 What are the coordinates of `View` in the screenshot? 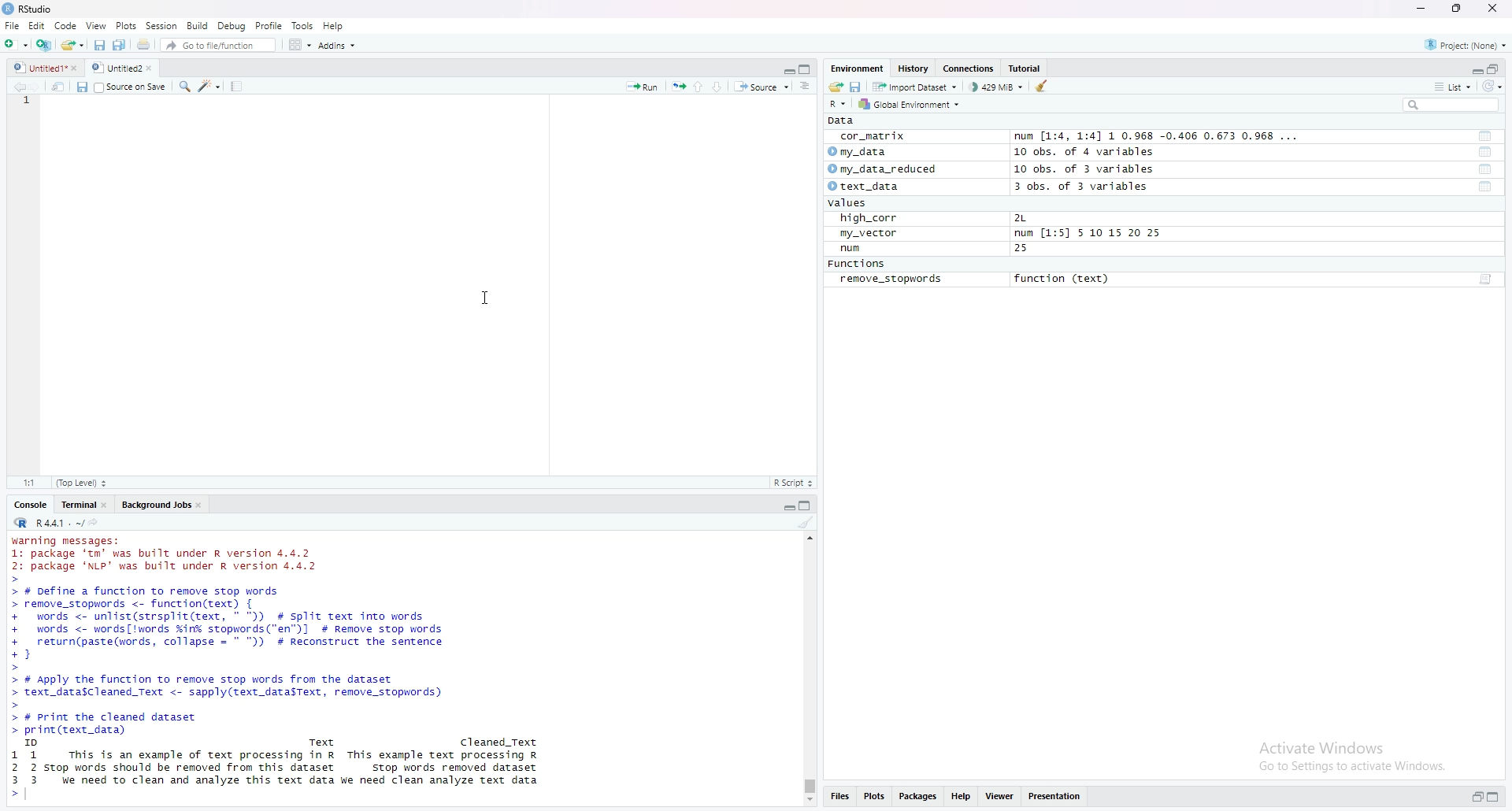 It's located at (96, 25).